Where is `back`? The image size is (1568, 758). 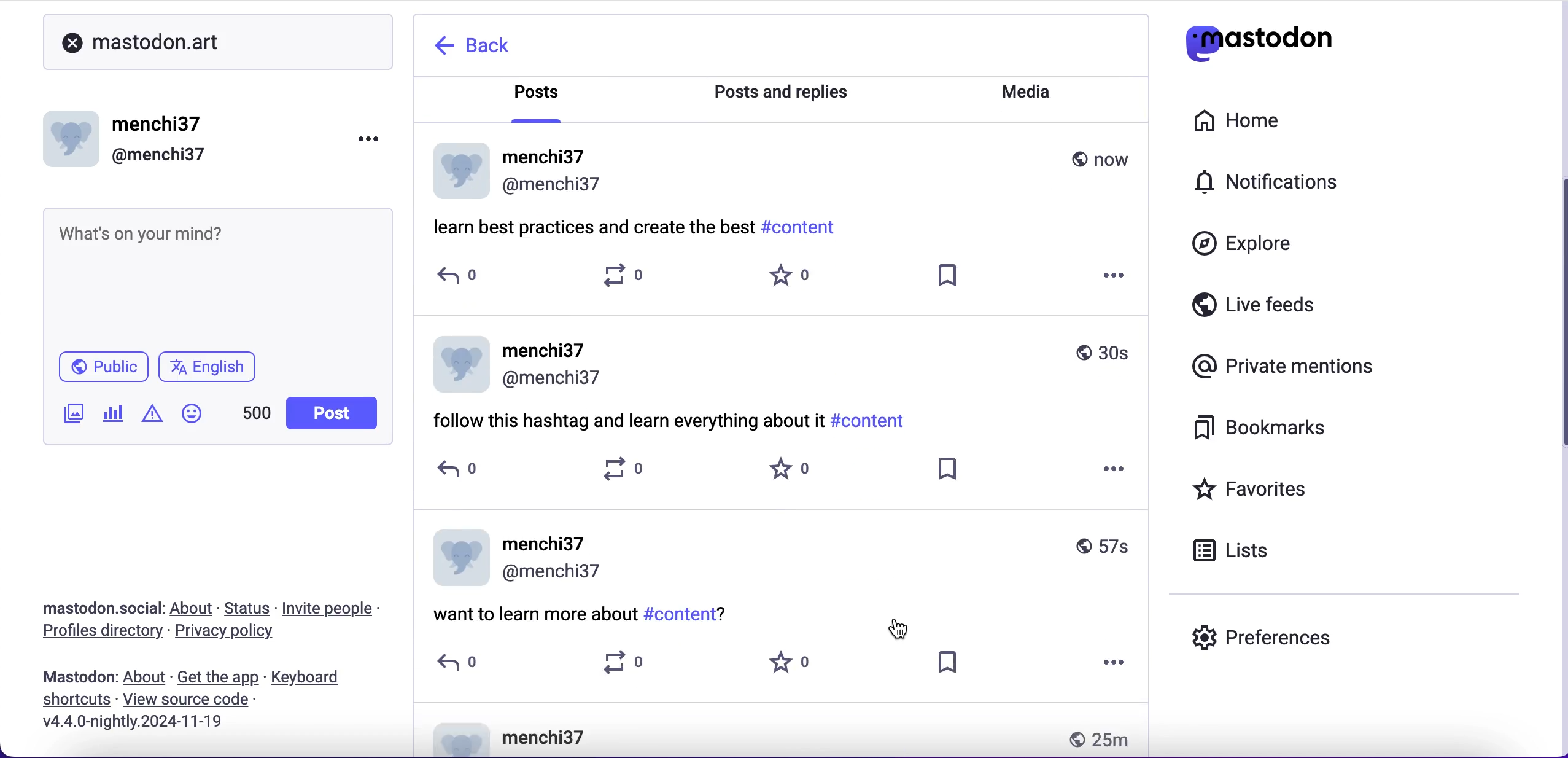
back is located at coordinates (437, 46).